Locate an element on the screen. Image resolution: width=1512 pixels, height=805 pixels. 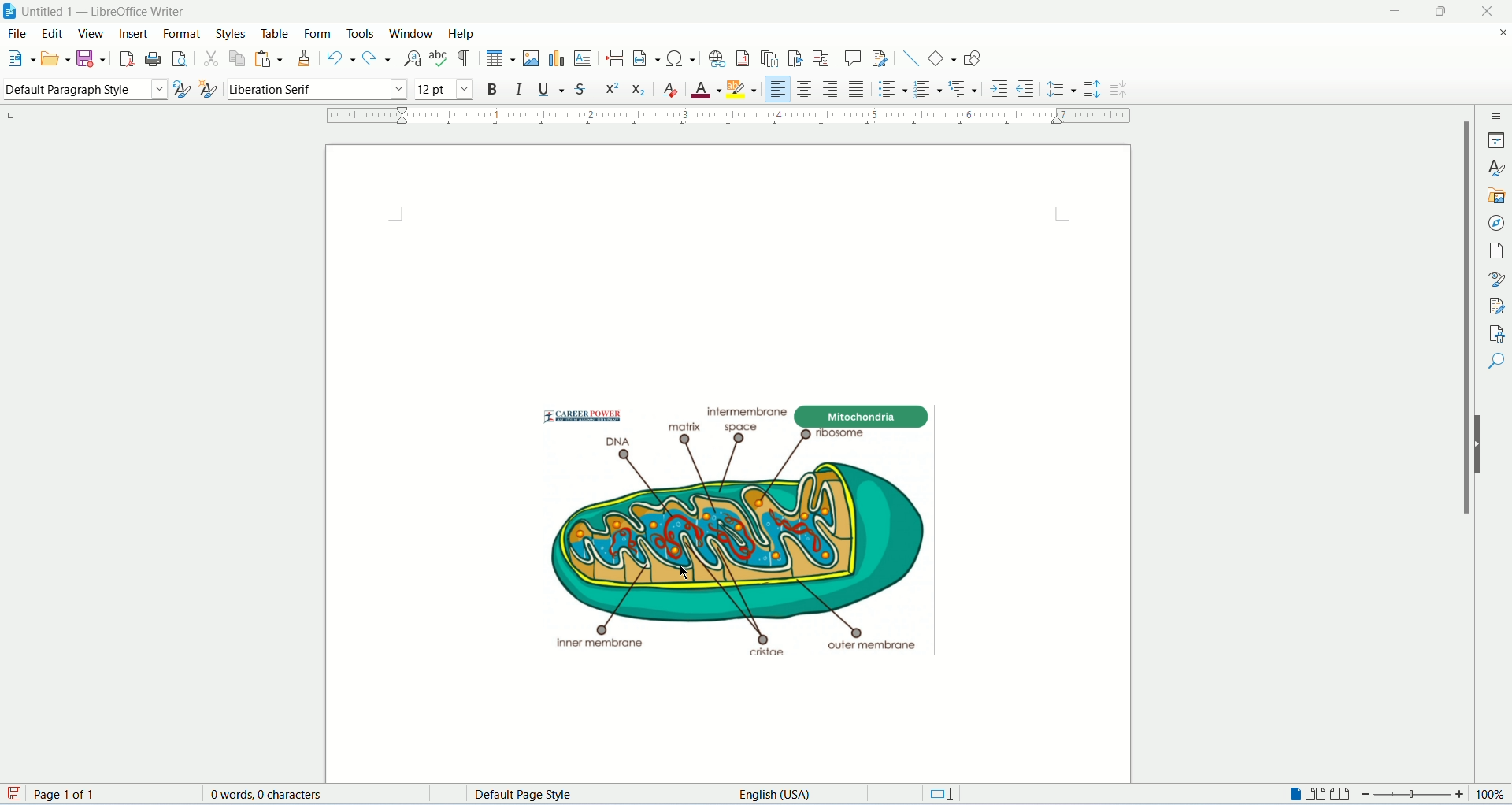
tools is located at coordinates (361, 35).